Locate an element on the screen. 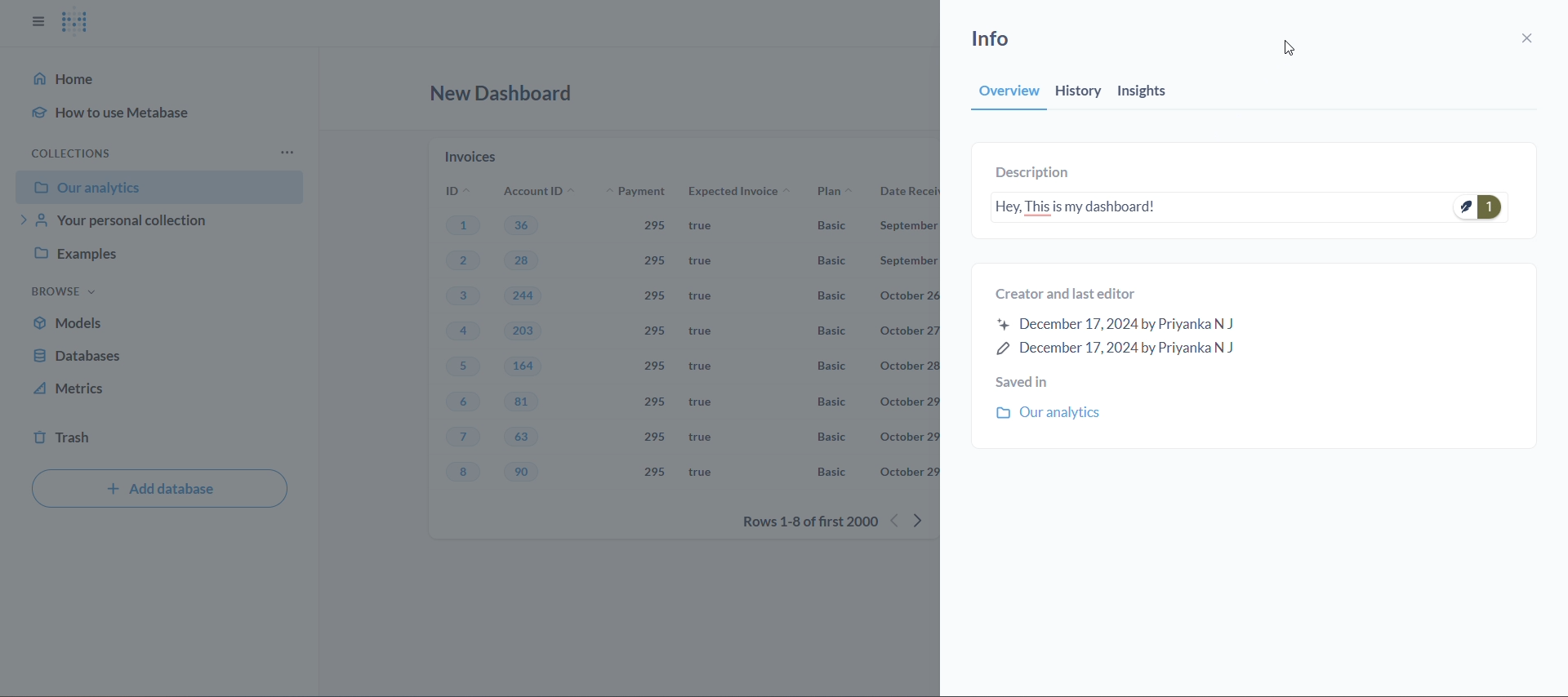  october 27 is located at coordinates (909, 332).